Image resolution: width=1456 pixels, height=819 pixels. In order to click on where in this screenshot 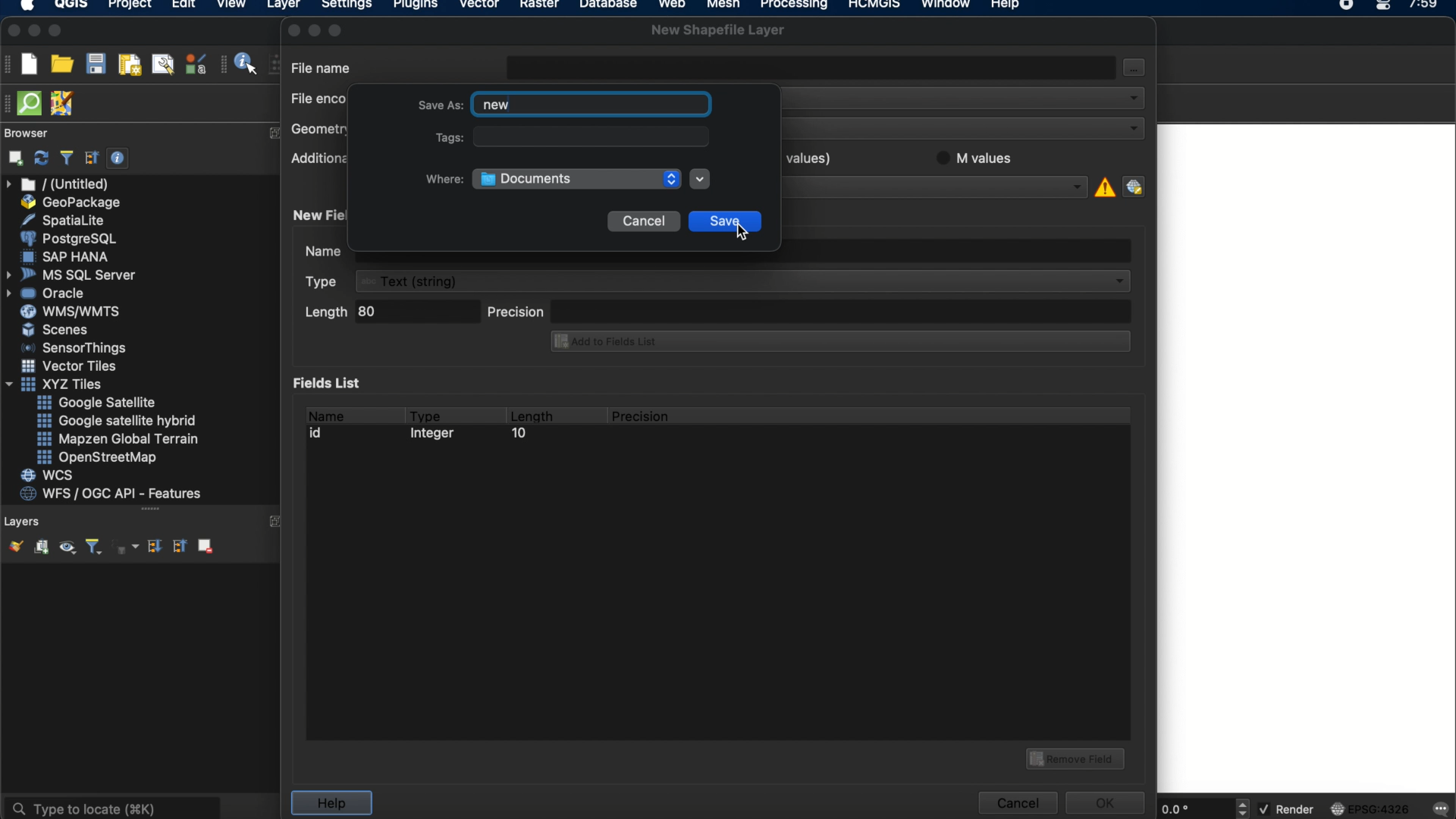, I will do `click(443, 179)`.